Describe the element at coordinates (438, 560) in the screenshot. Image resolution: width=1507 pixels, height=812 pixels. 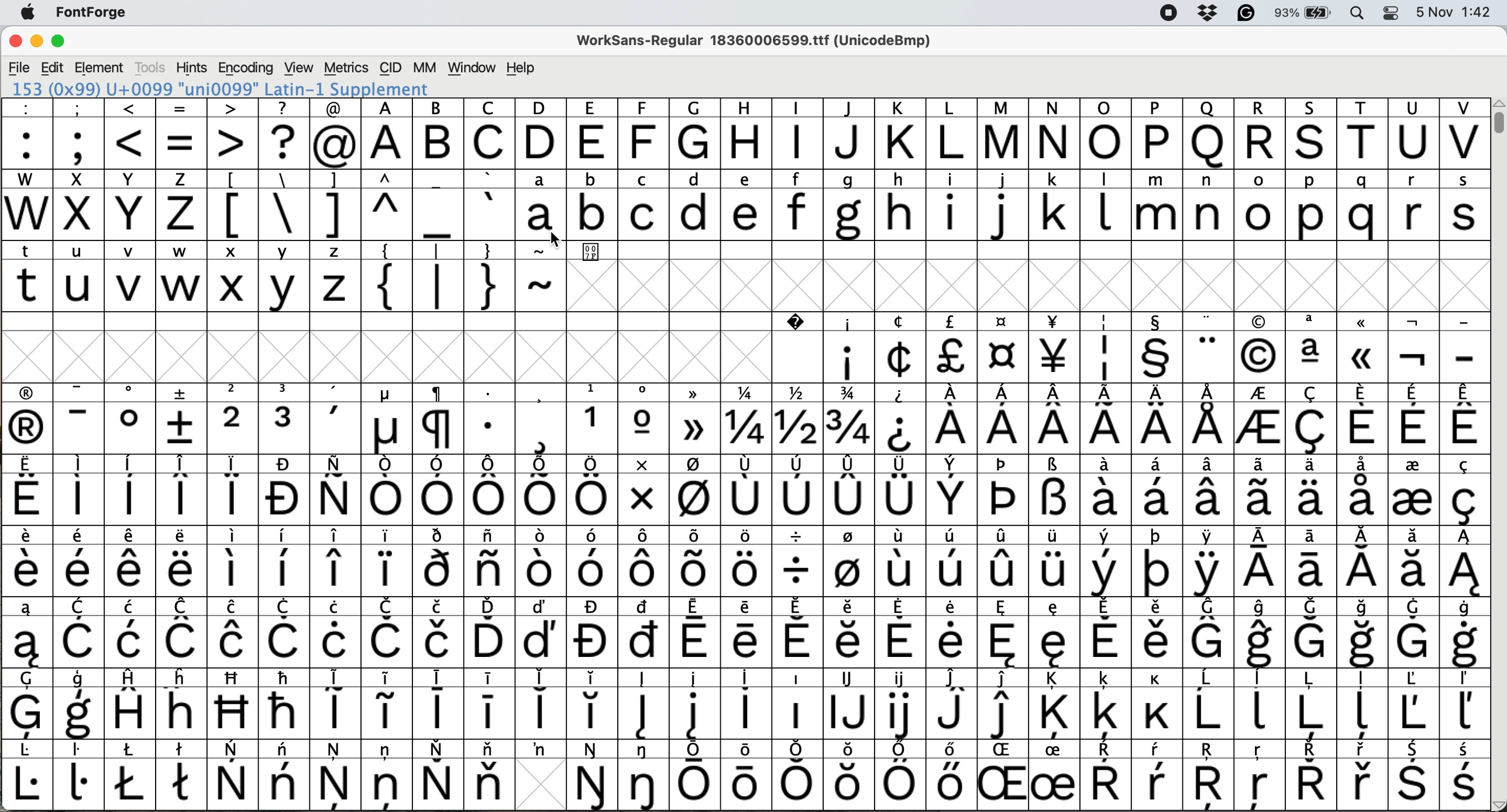
I see `symbol` at that location.